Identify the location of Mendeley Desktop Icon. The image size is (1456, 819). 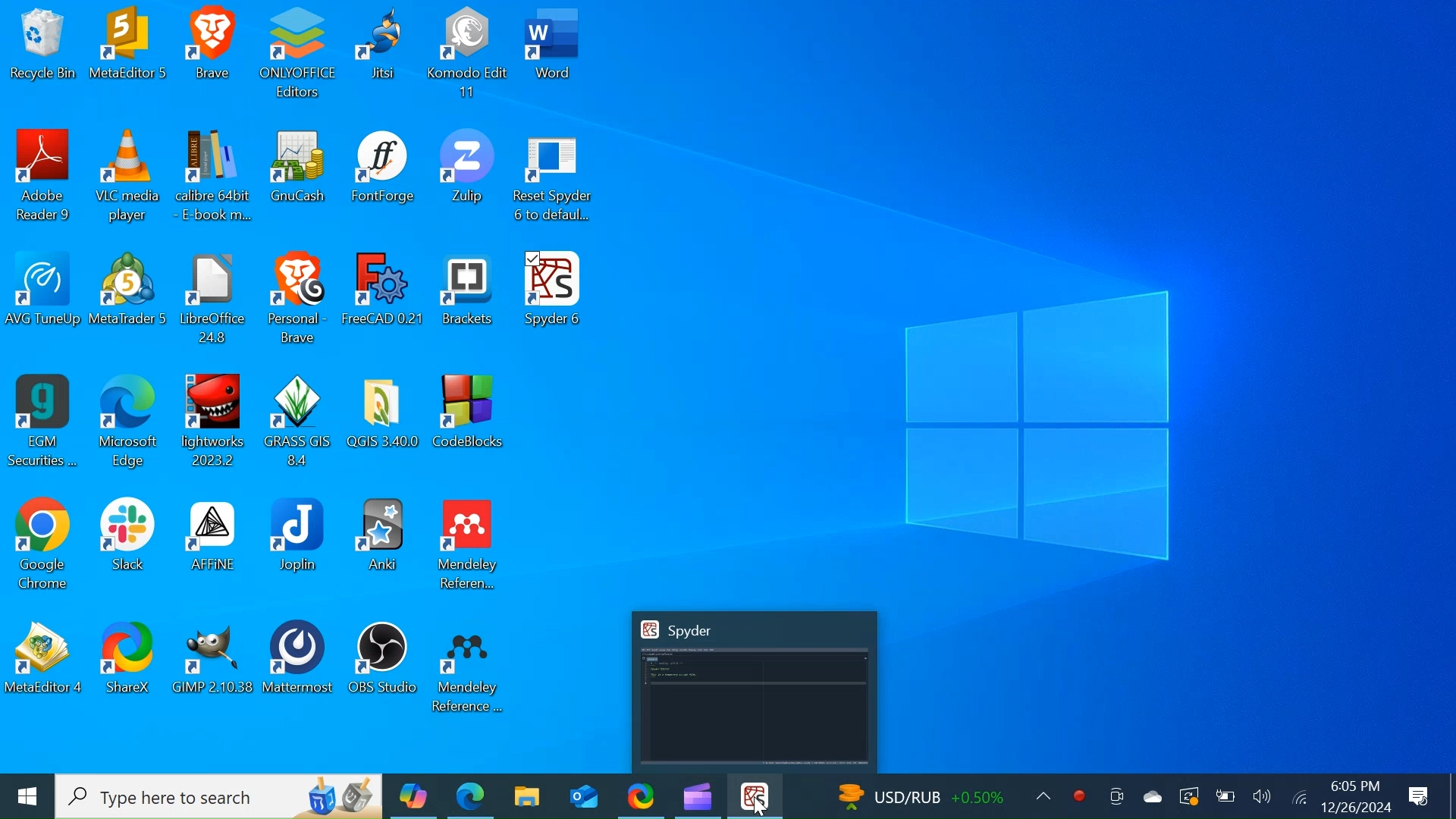
(469, 666).